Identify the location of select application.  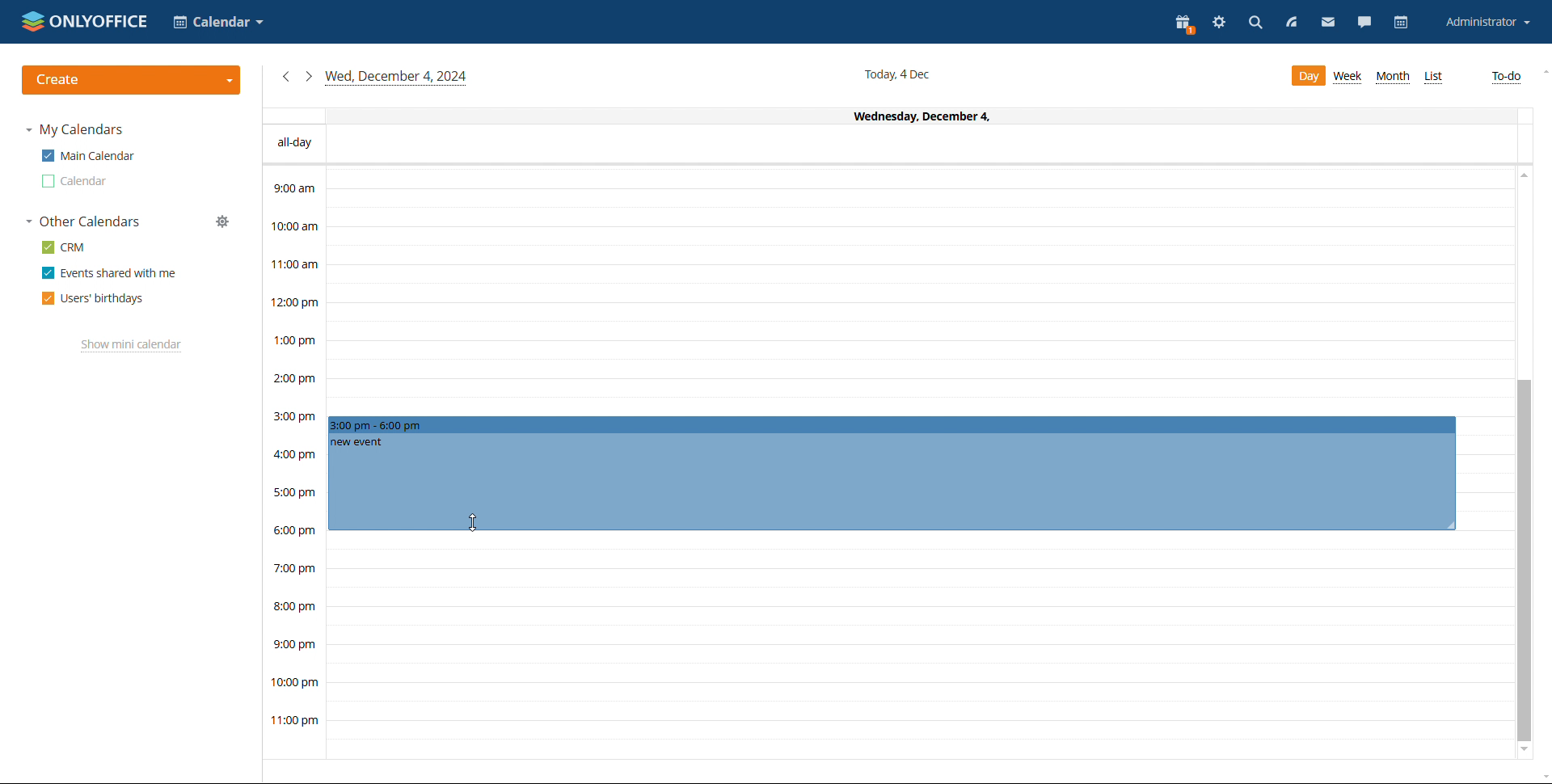
(217, 22).